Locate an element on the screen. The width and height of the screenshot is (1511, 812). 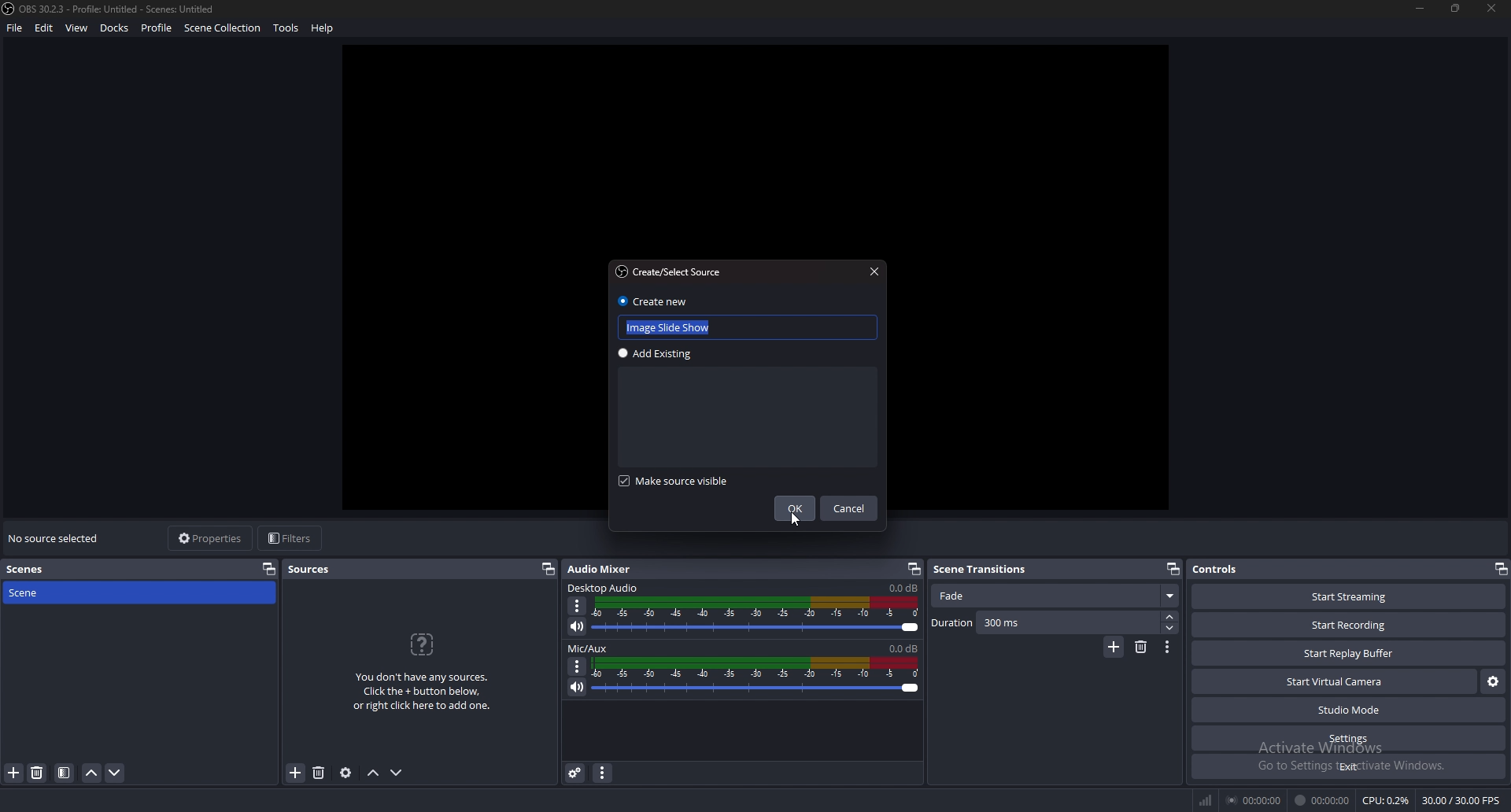
cpu is located at coordinates (1386, 800).